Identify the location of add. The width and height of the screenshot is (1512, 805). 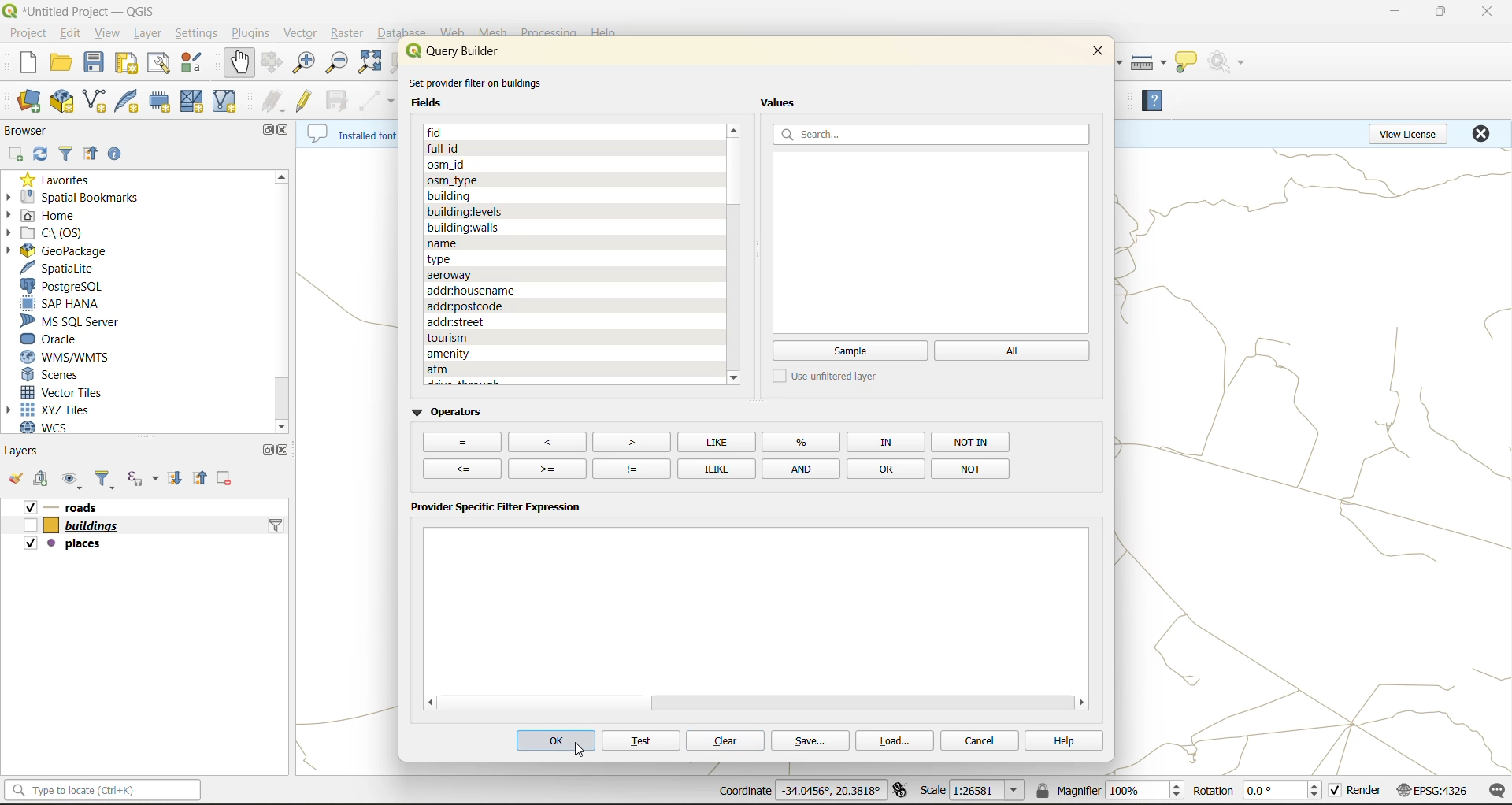
(19, 154).